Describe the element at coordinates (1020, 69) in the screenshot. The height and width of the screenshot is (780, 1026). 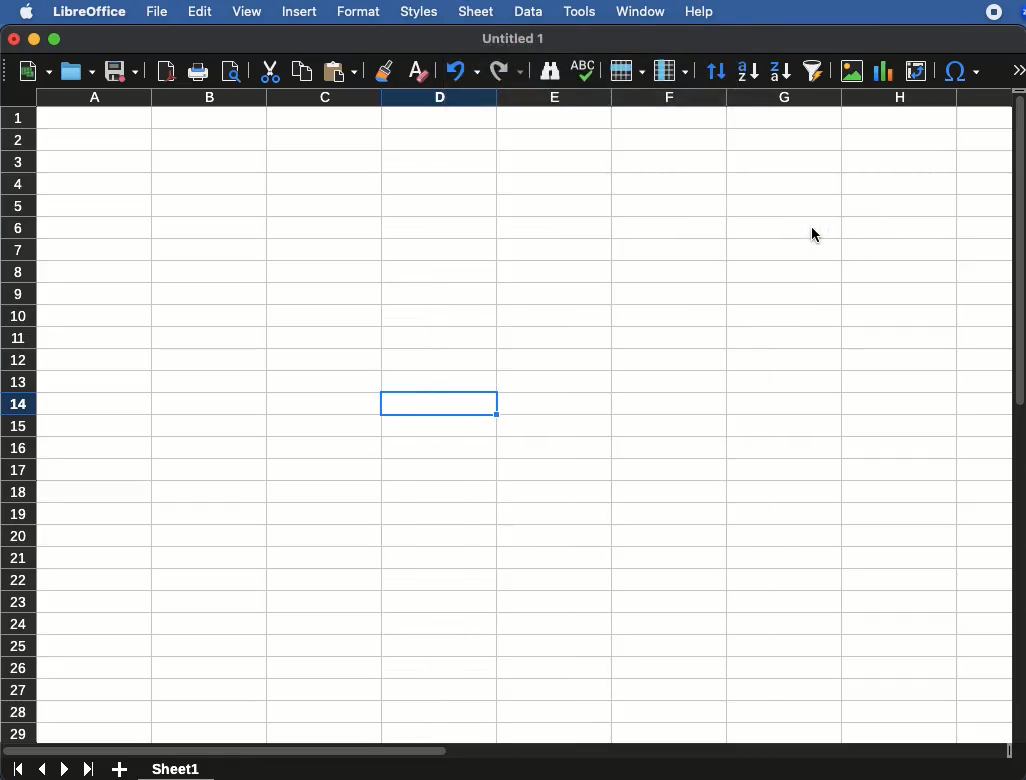
I see `expand` at that location.